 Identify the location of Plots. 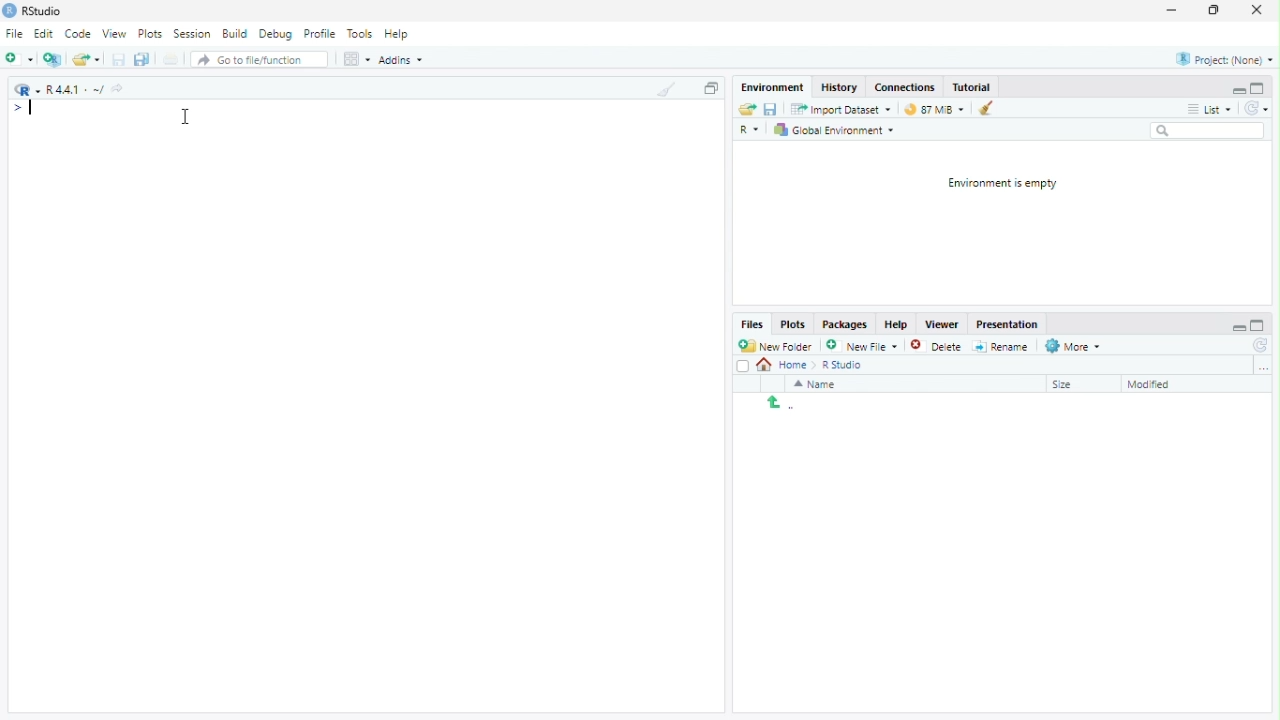
(149, 34).